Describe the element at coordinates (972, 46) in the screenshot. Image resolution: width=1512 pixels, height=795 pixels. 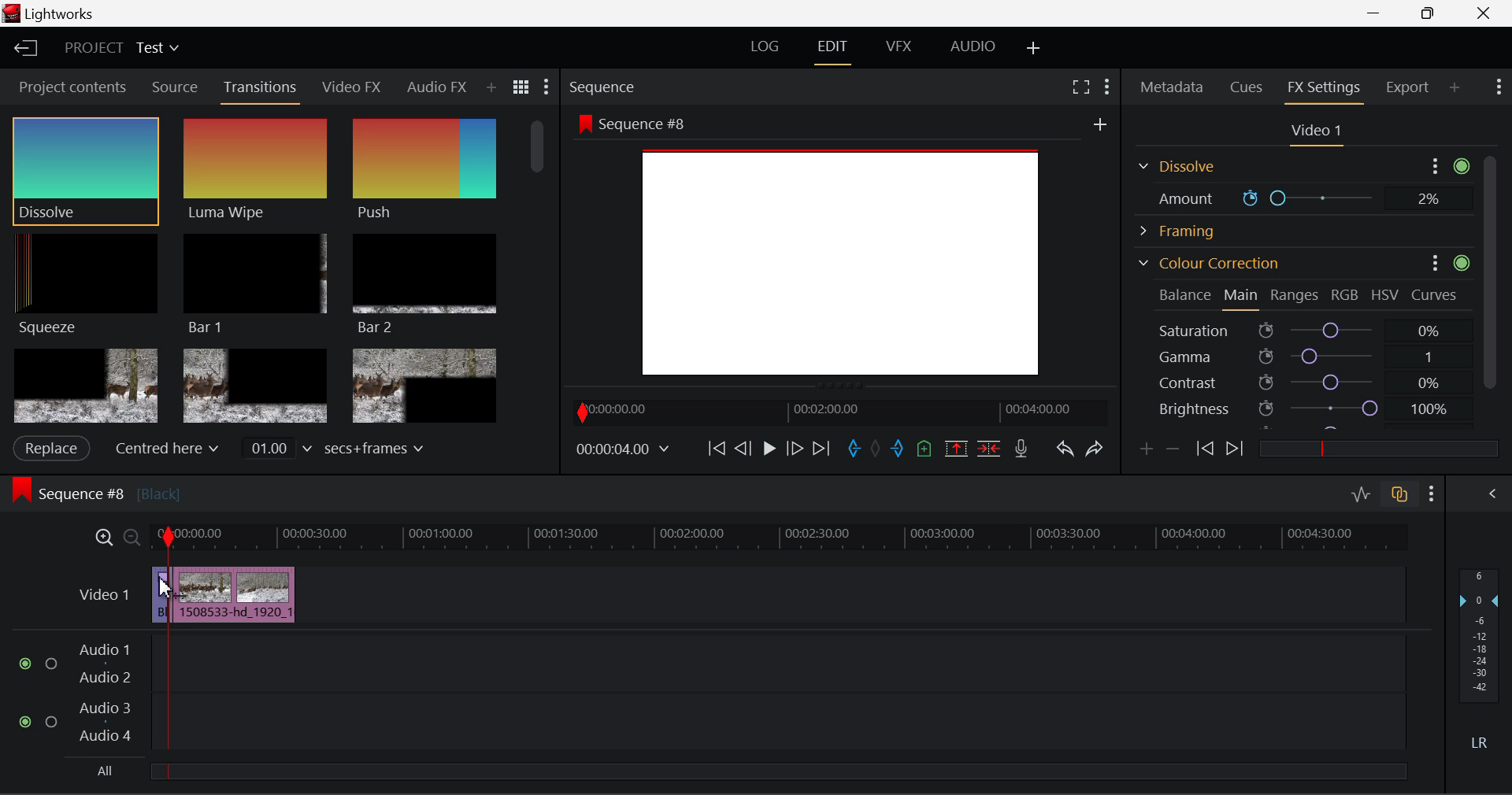
I see `AUDIO Layout` at that location.